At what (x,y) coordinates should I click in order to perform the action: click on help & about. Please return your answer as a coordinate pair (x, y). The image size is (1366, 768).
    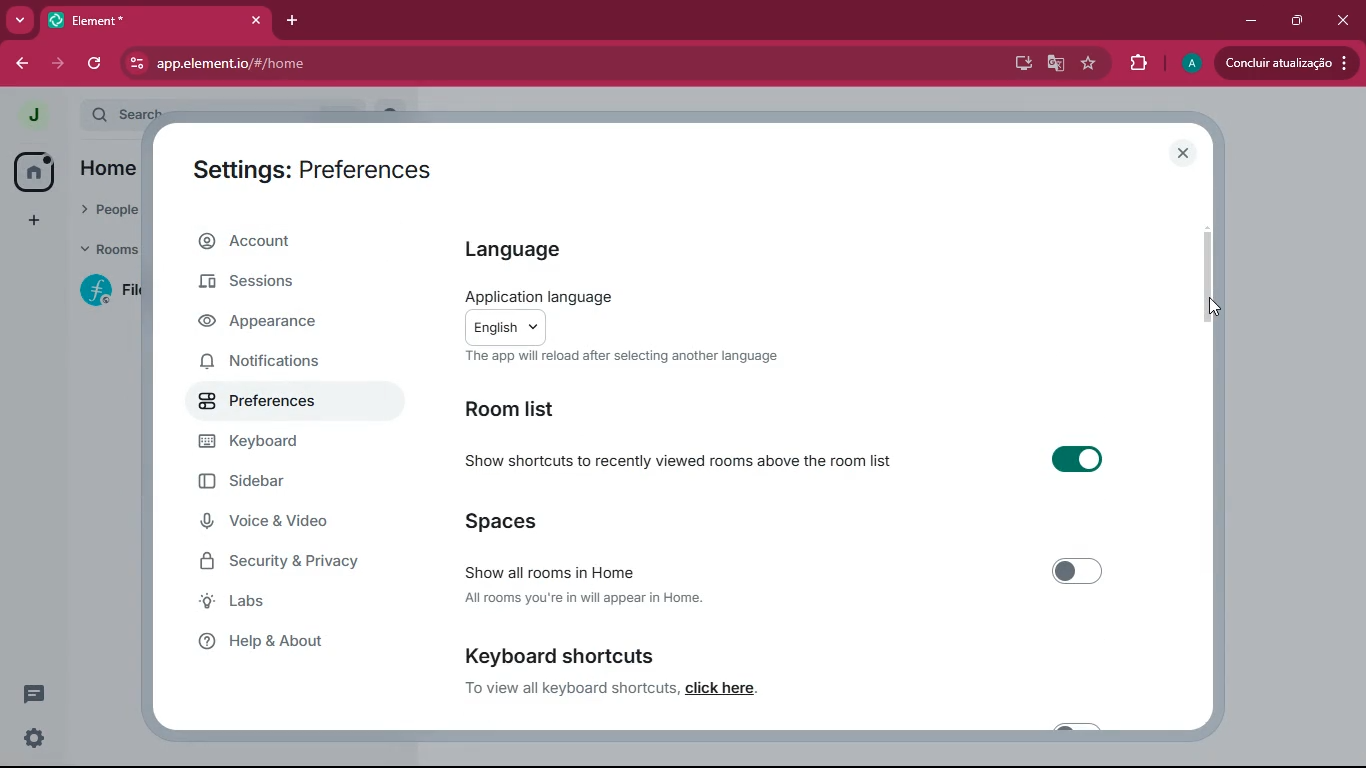
    Looking at the image, I should click on (288, 643).